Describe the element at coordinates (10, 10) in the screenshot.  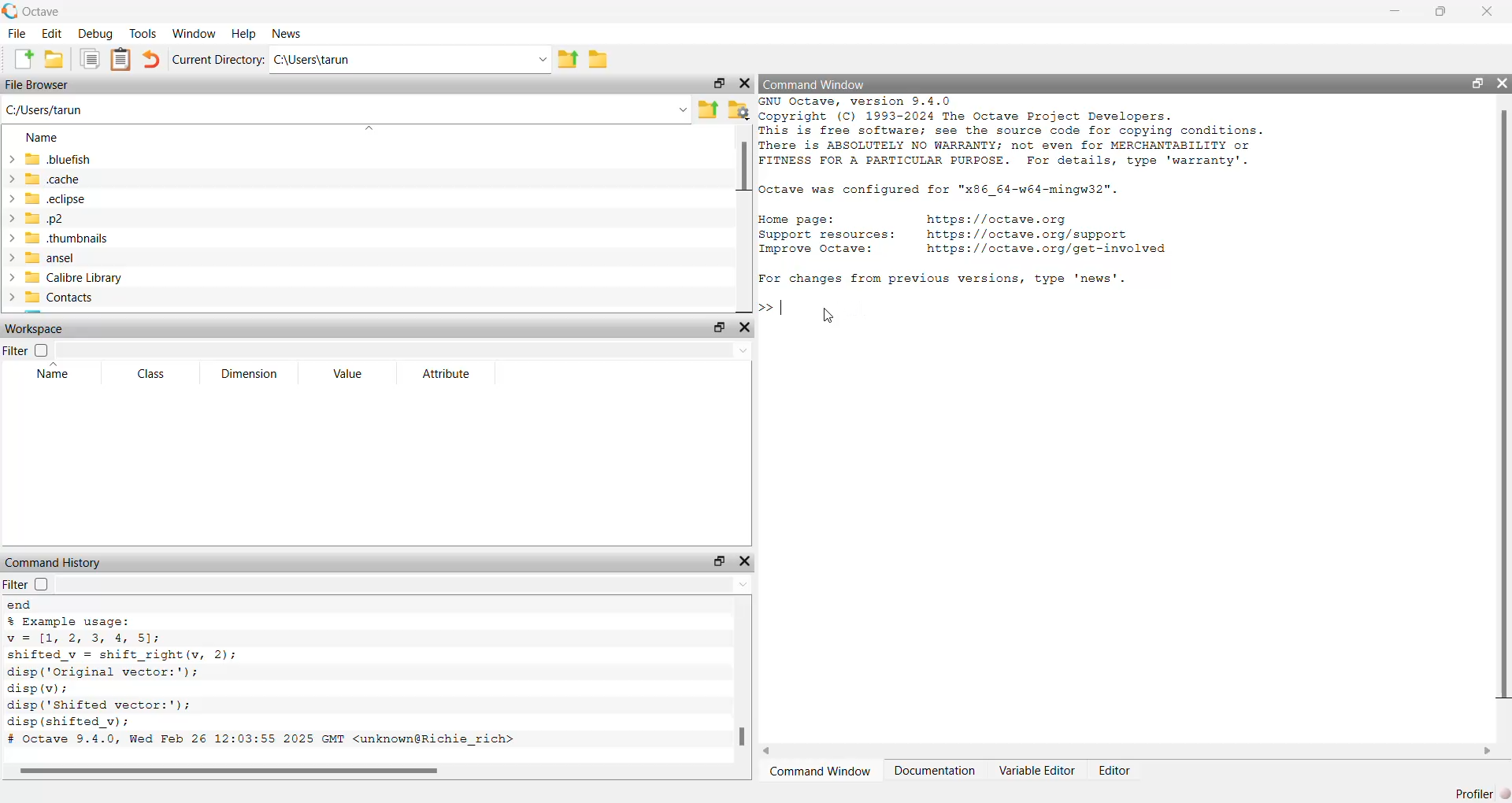
I see `logo` at that location.